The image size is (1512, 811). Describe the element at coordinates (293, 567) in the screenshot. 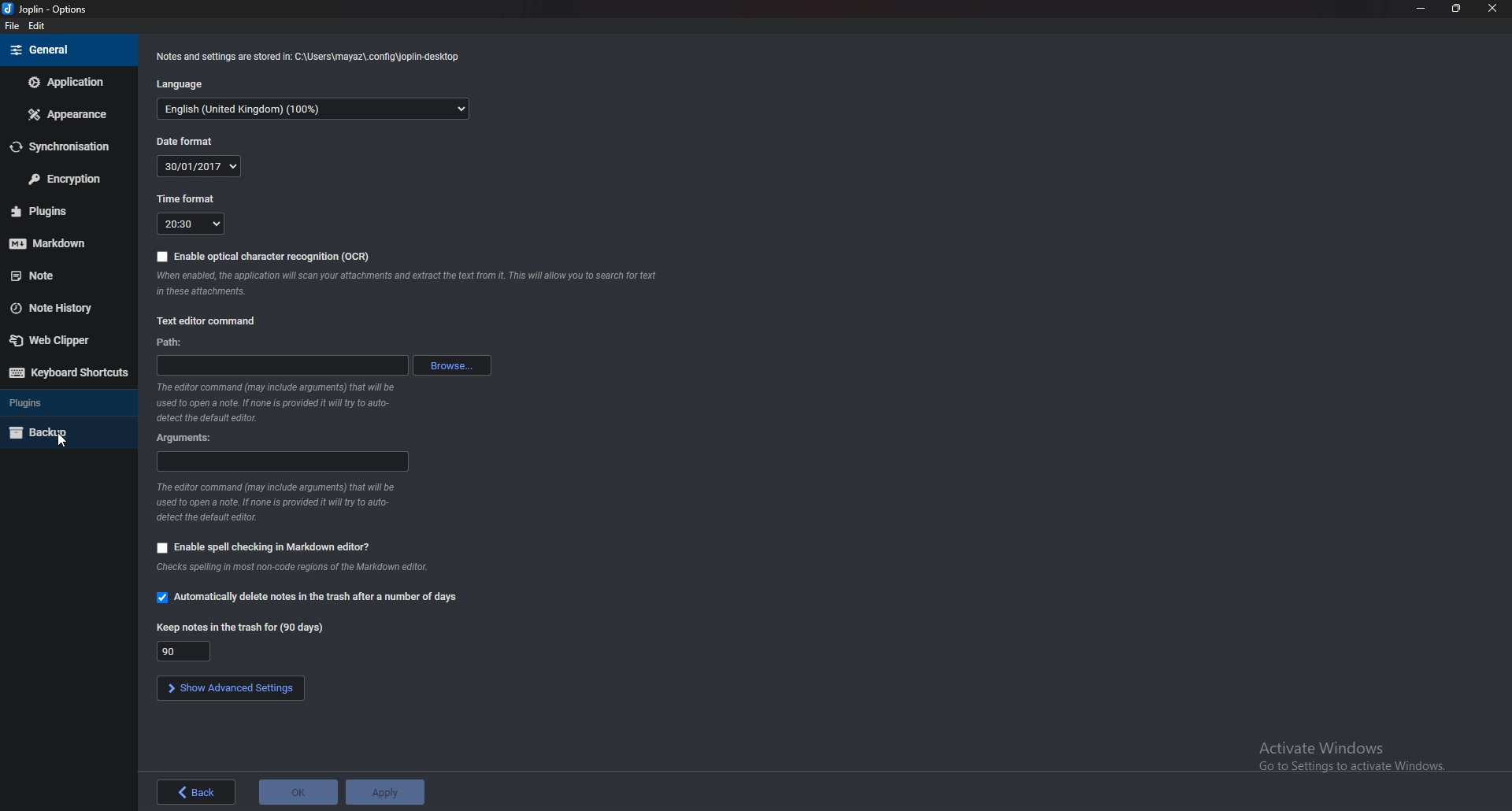

I see `Info` at that location.